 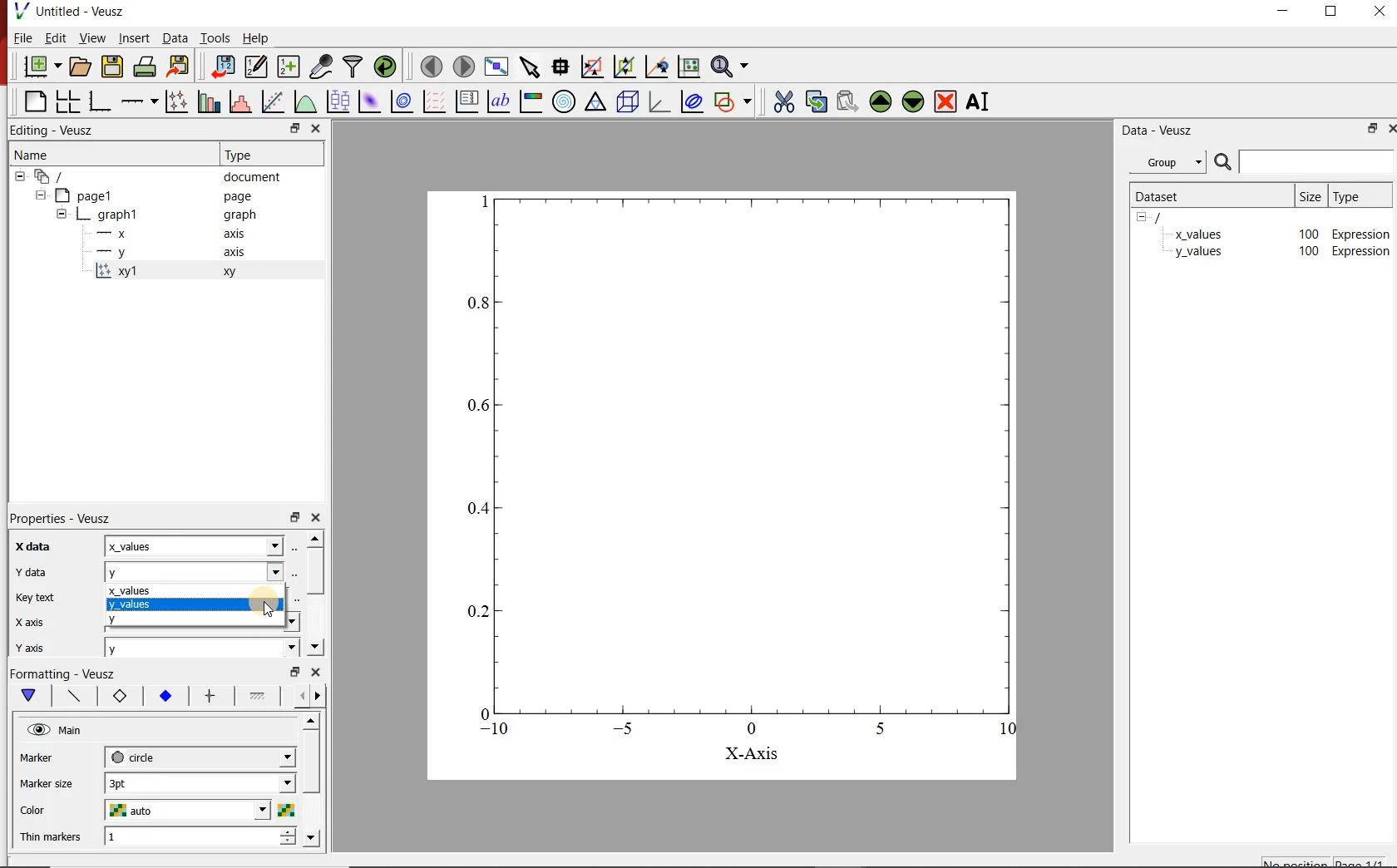 What do you see at coordinates (116, 273) in the screenshot?
I see `x='x', y='y', marker='circle'` at bounding box center [116, 273].